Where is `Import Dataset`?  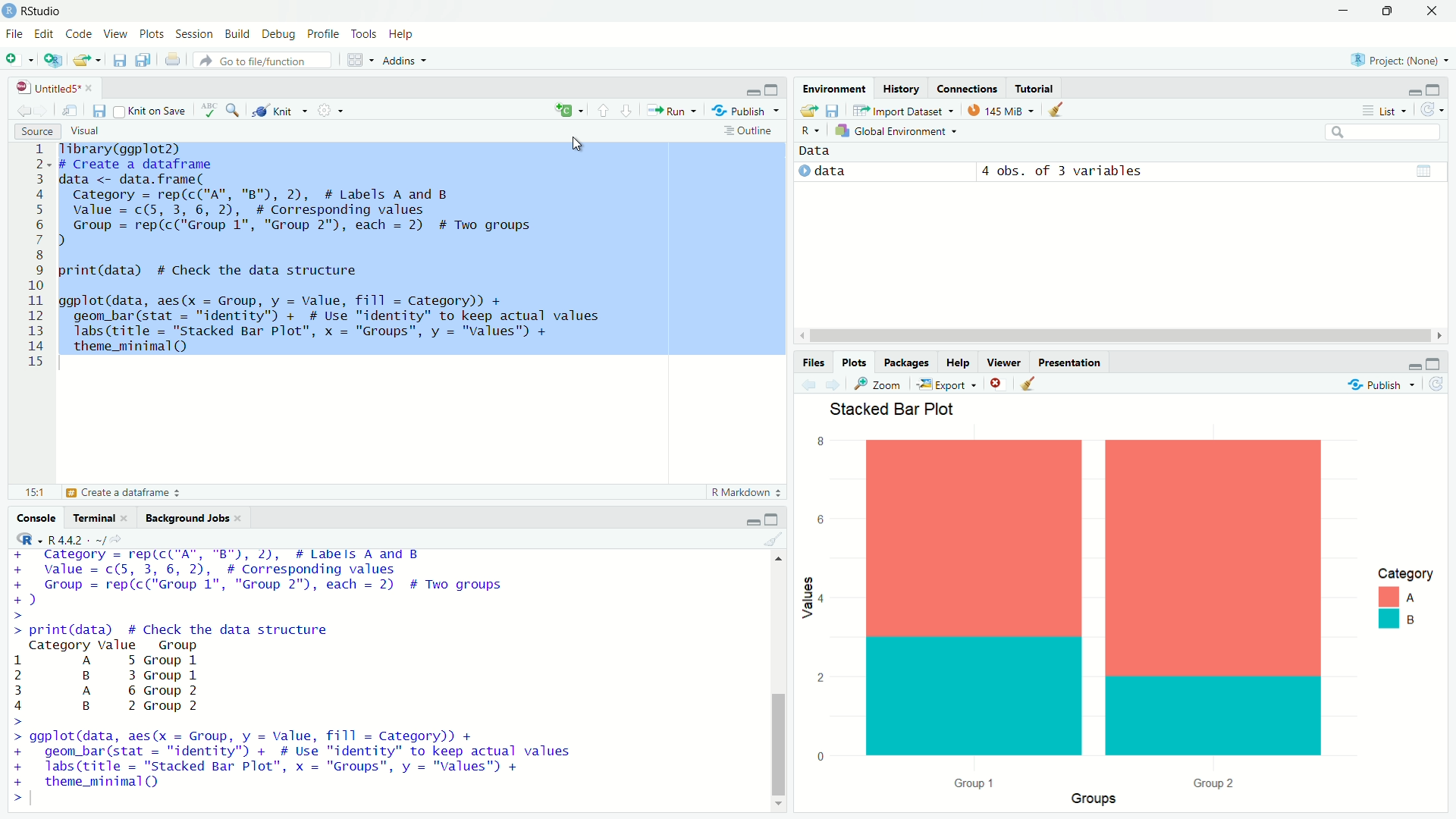
Import Dataset is located at coordinates (904, 110).